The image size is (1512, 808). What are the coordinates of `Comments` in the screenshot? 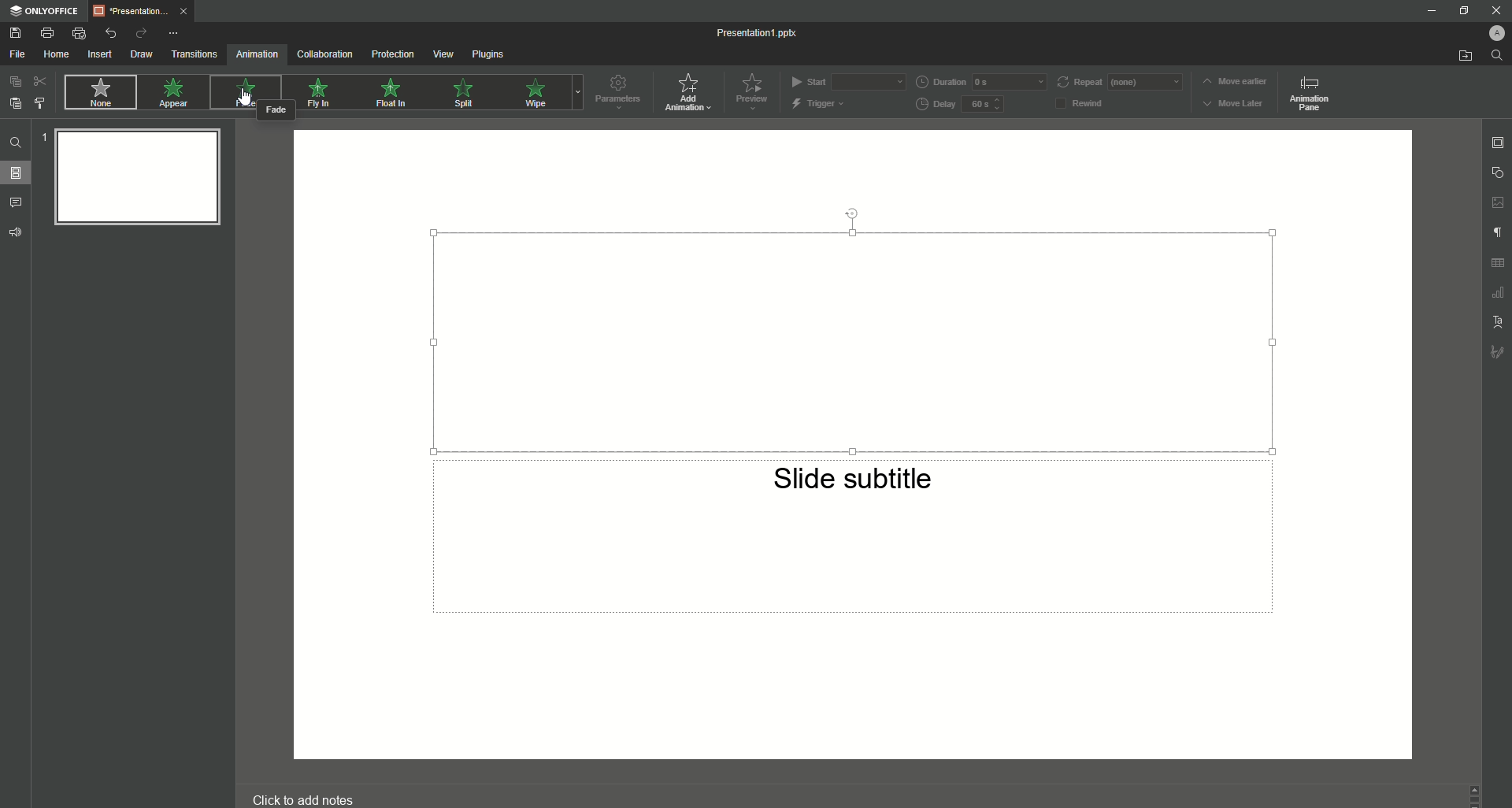 It's located at (17, 202).